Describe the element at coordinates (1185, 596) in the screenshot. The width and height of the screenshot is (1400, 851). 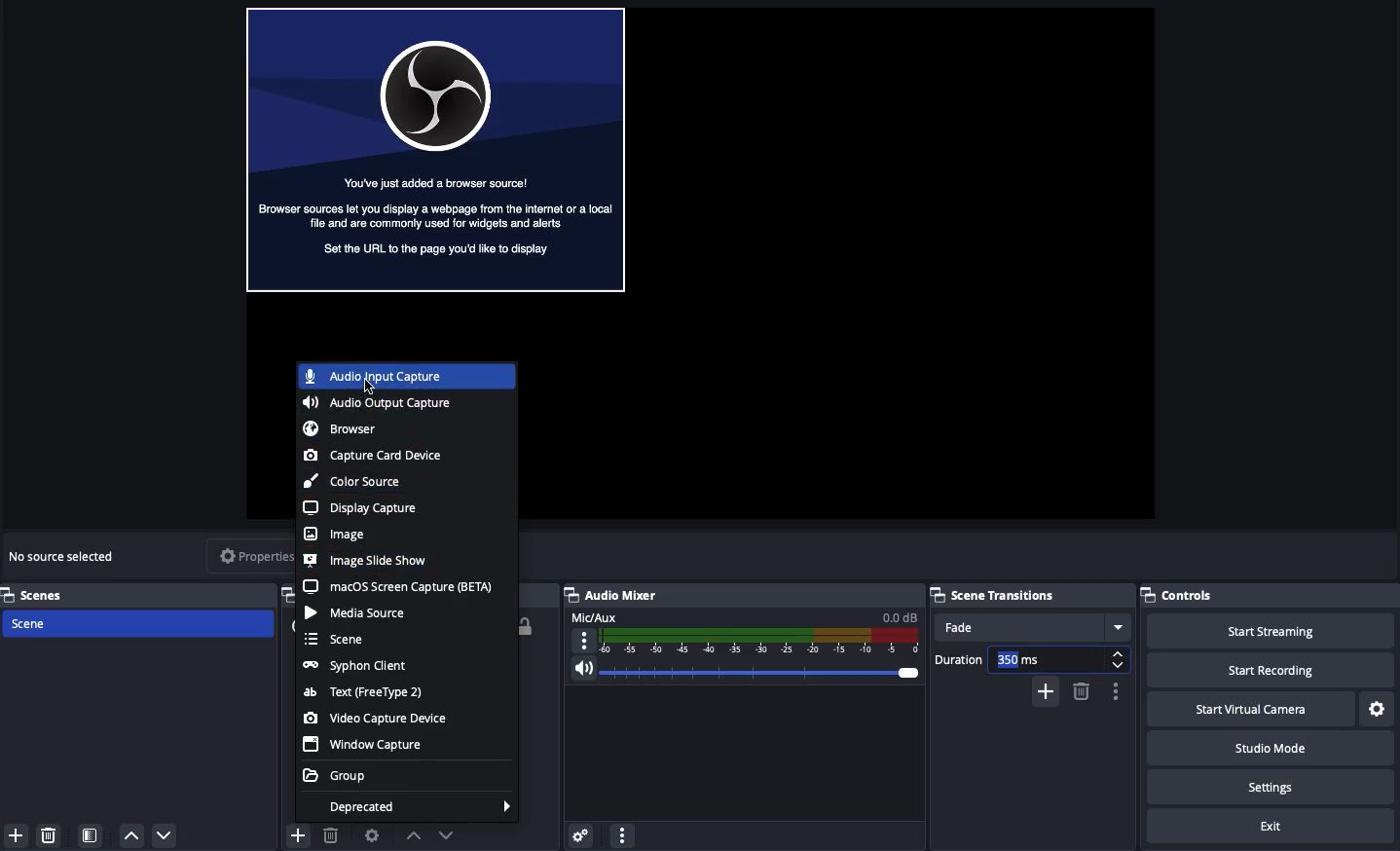
I see `Controls` at that location.